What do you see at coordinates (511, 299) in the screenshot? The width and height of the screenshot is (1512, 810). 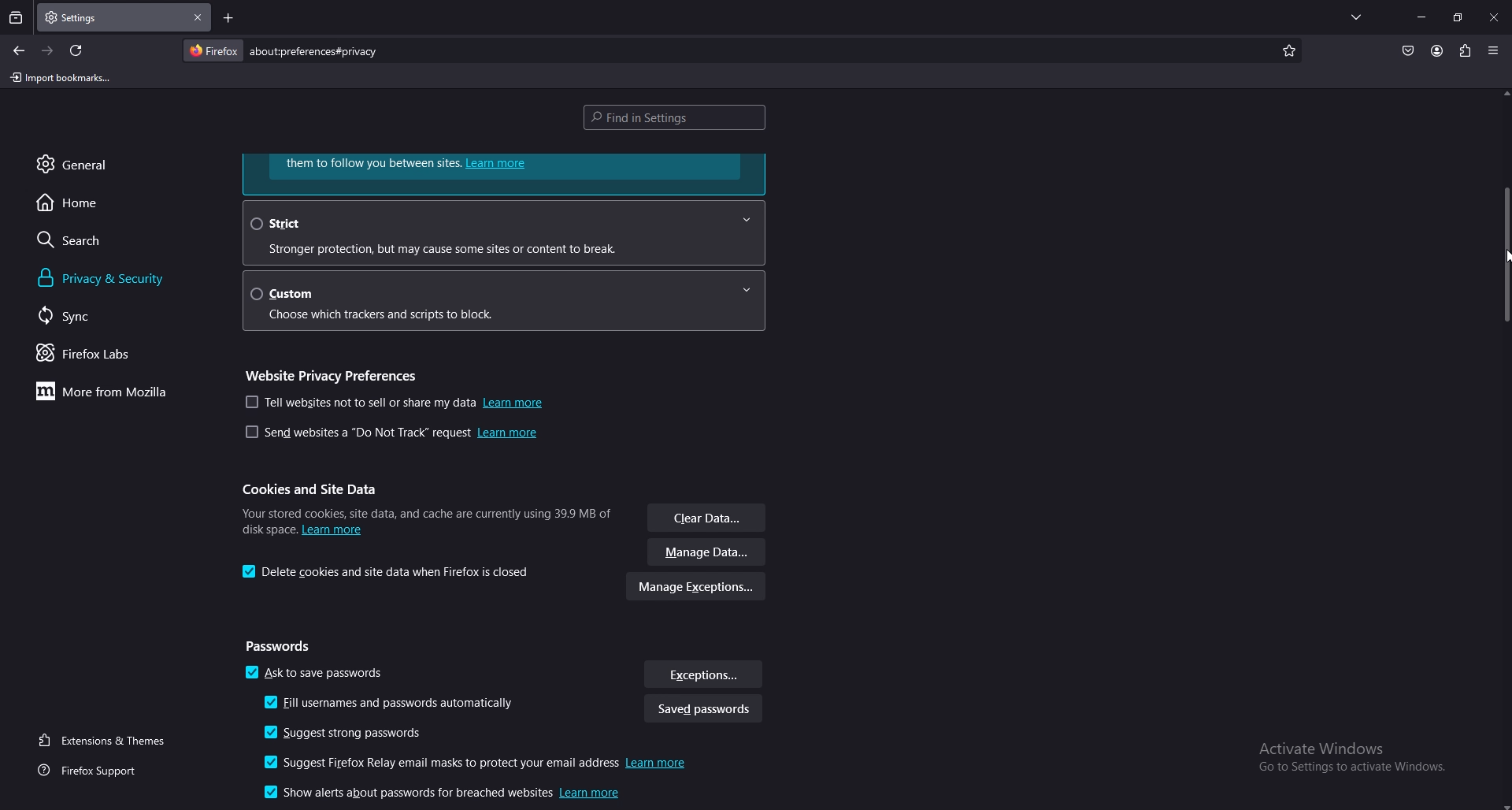 I see `custom` at bounding box center [511, 299].